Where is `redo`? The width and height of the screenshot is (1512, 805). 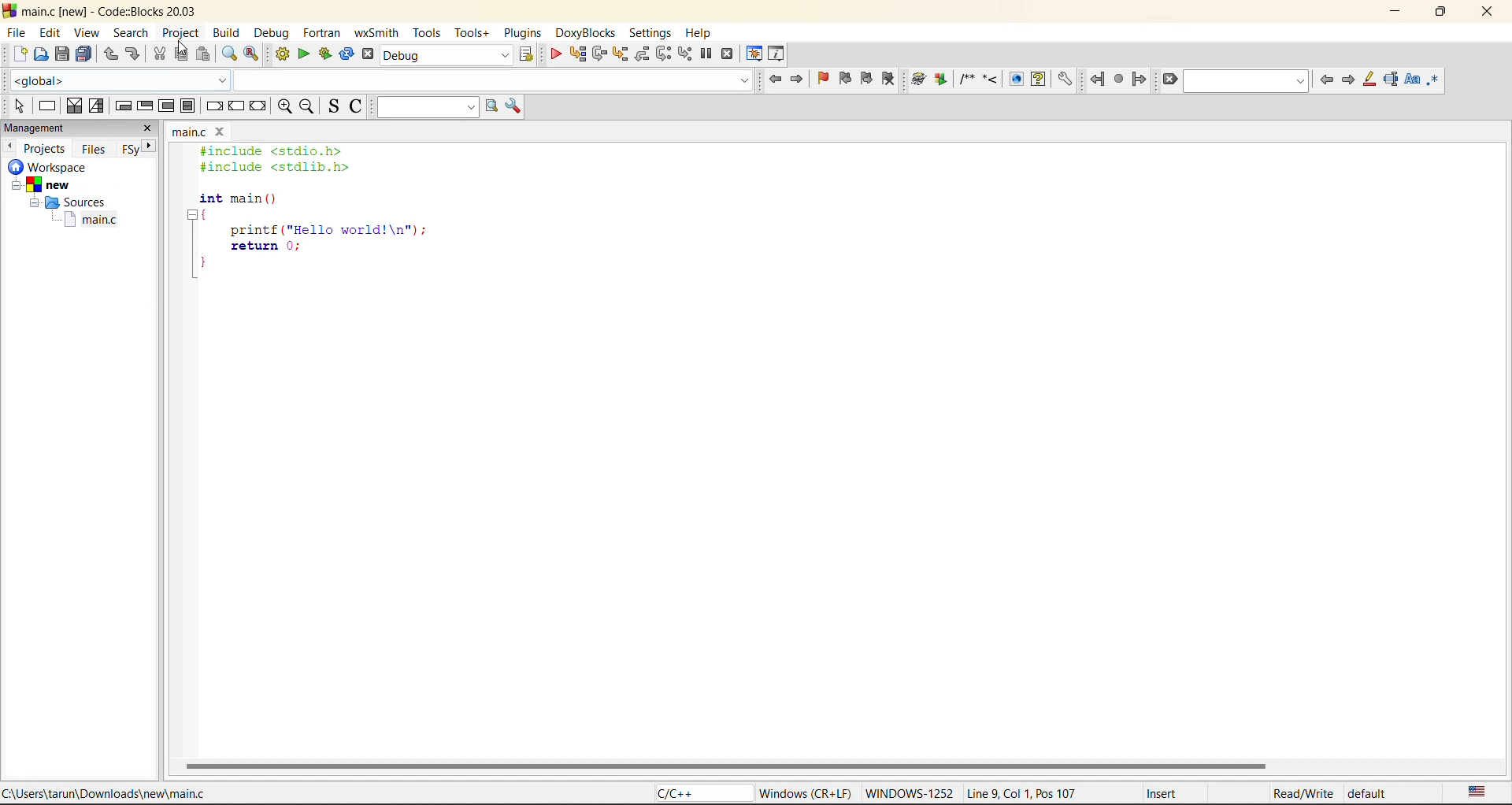
redo is located at coordinates (135, 54).